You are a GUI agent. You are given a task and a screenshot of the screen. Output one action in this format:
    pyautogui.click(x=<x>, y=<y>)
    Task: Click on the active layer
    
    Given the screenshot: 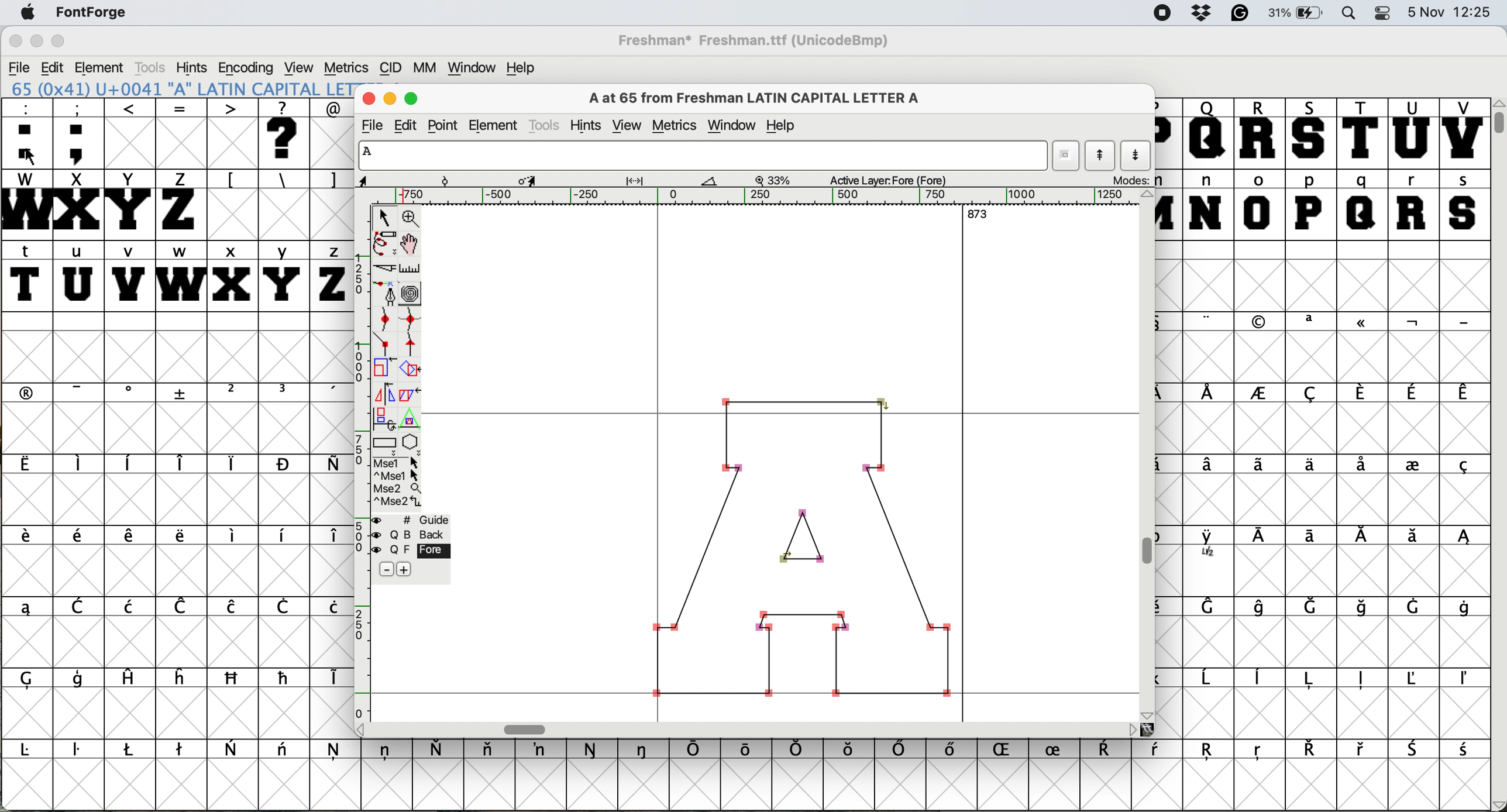 What is the action you would take?
    pyautogui.click(x=892, y=179)
    